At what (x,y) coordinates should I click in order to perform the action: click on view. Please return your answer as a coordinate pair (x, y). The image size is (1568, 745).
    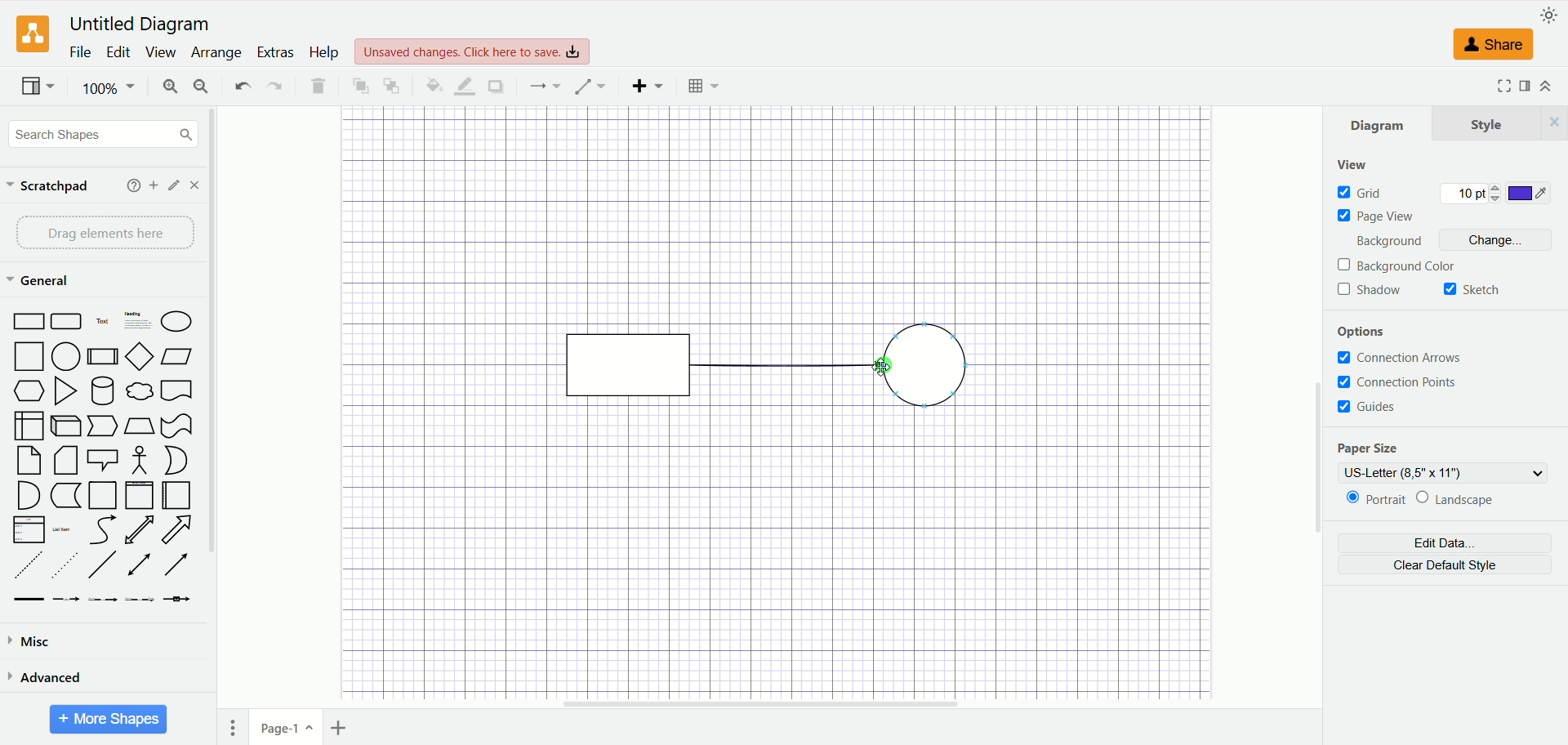
    Looking at the image, I should click on (1361, 163).